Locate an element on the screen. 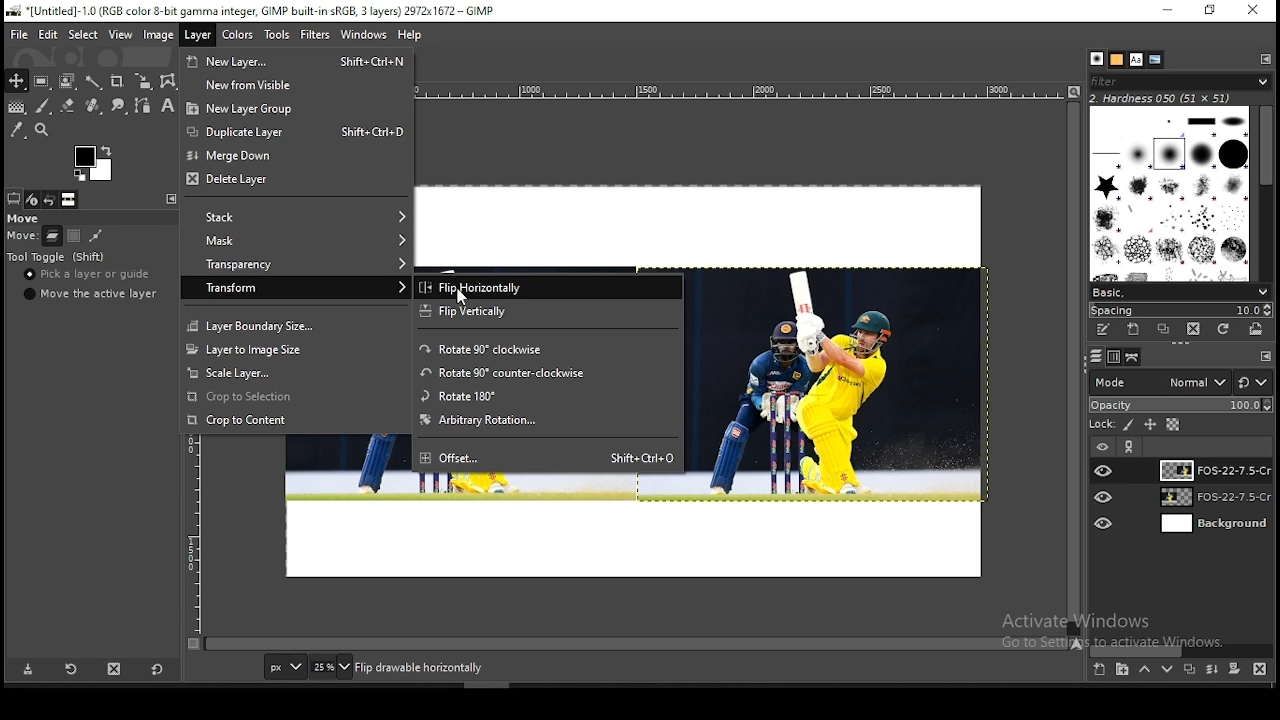  create a new brush is located at coordinates (1133, 329).